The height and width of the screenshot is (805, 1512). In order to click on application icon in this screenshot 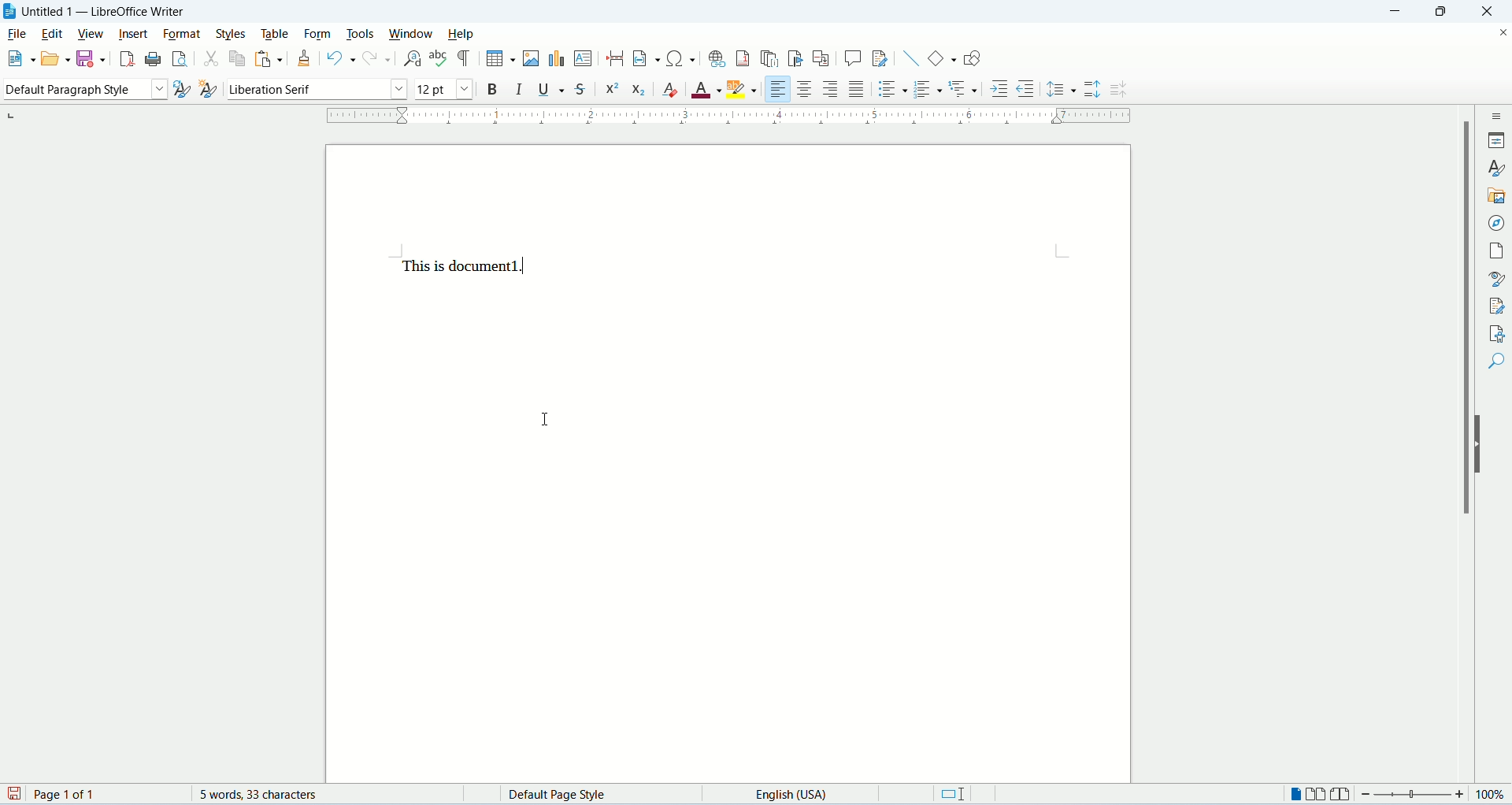, I will do `click(9, 12)`.